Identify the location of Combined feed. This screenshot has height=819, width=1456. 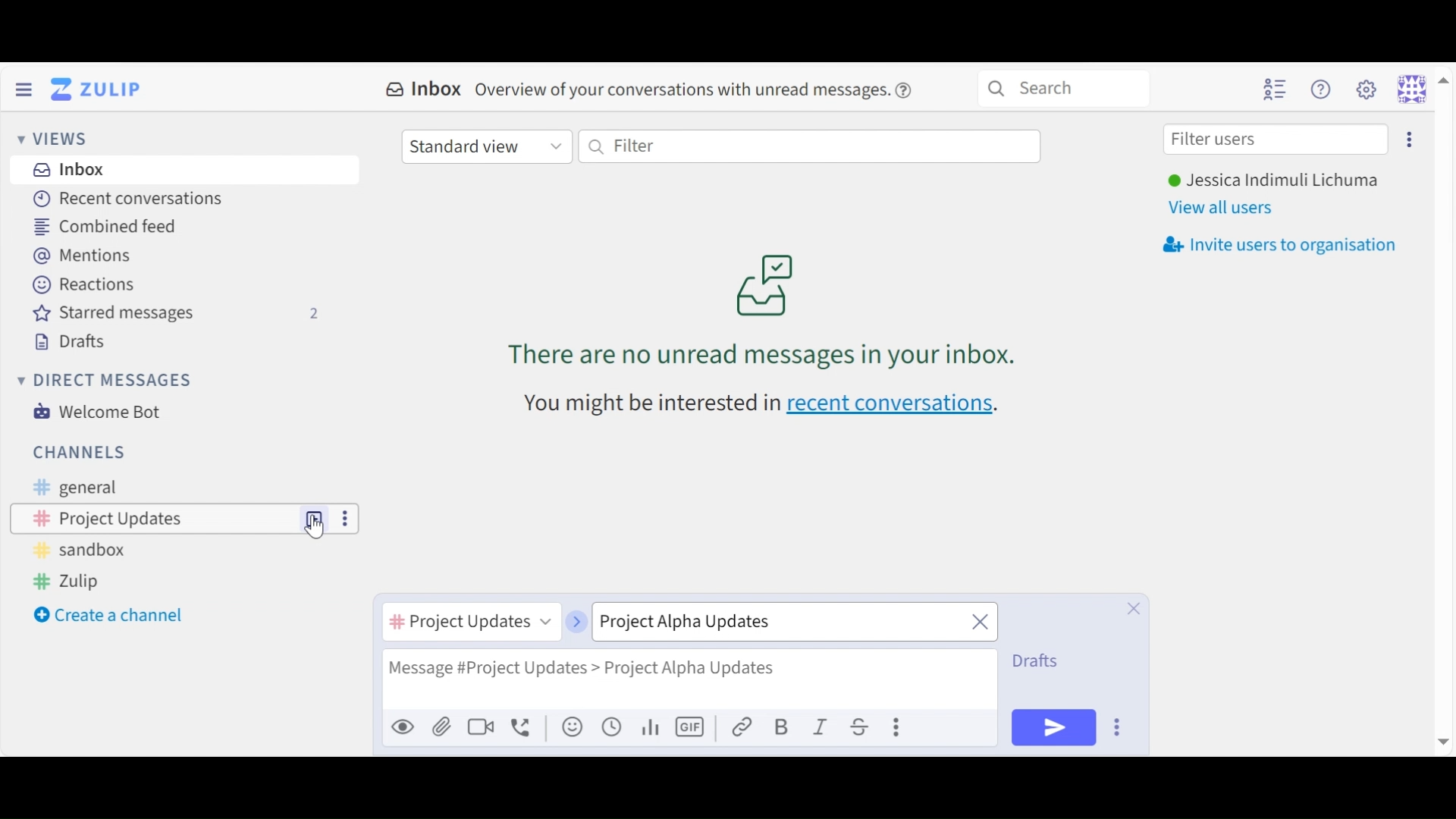
(116, 226).